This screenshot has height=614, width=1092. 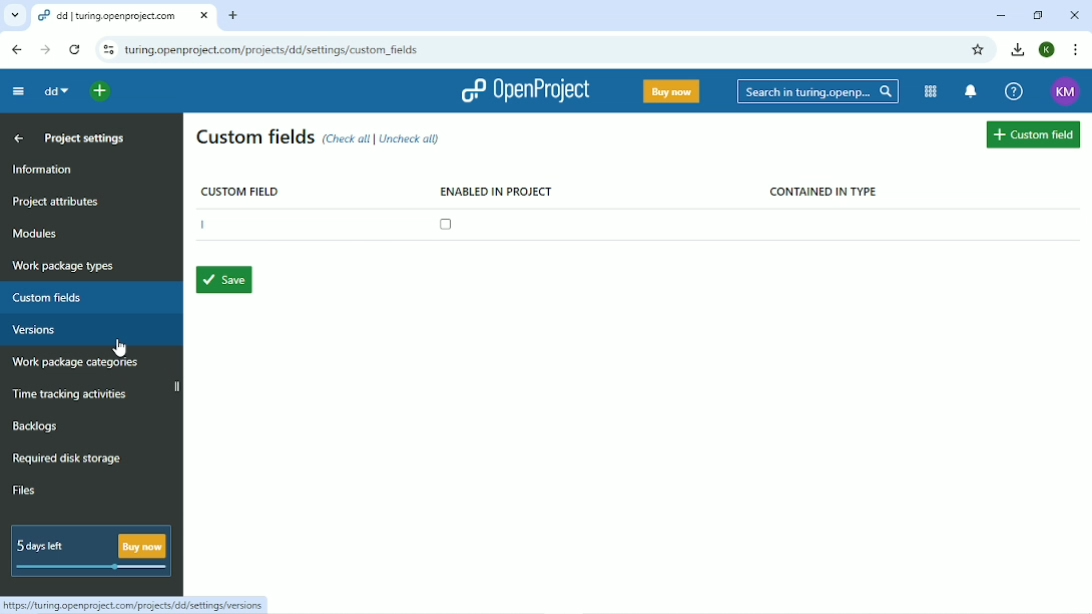 I want to click on Enable in project, so click(x=493, y=209).